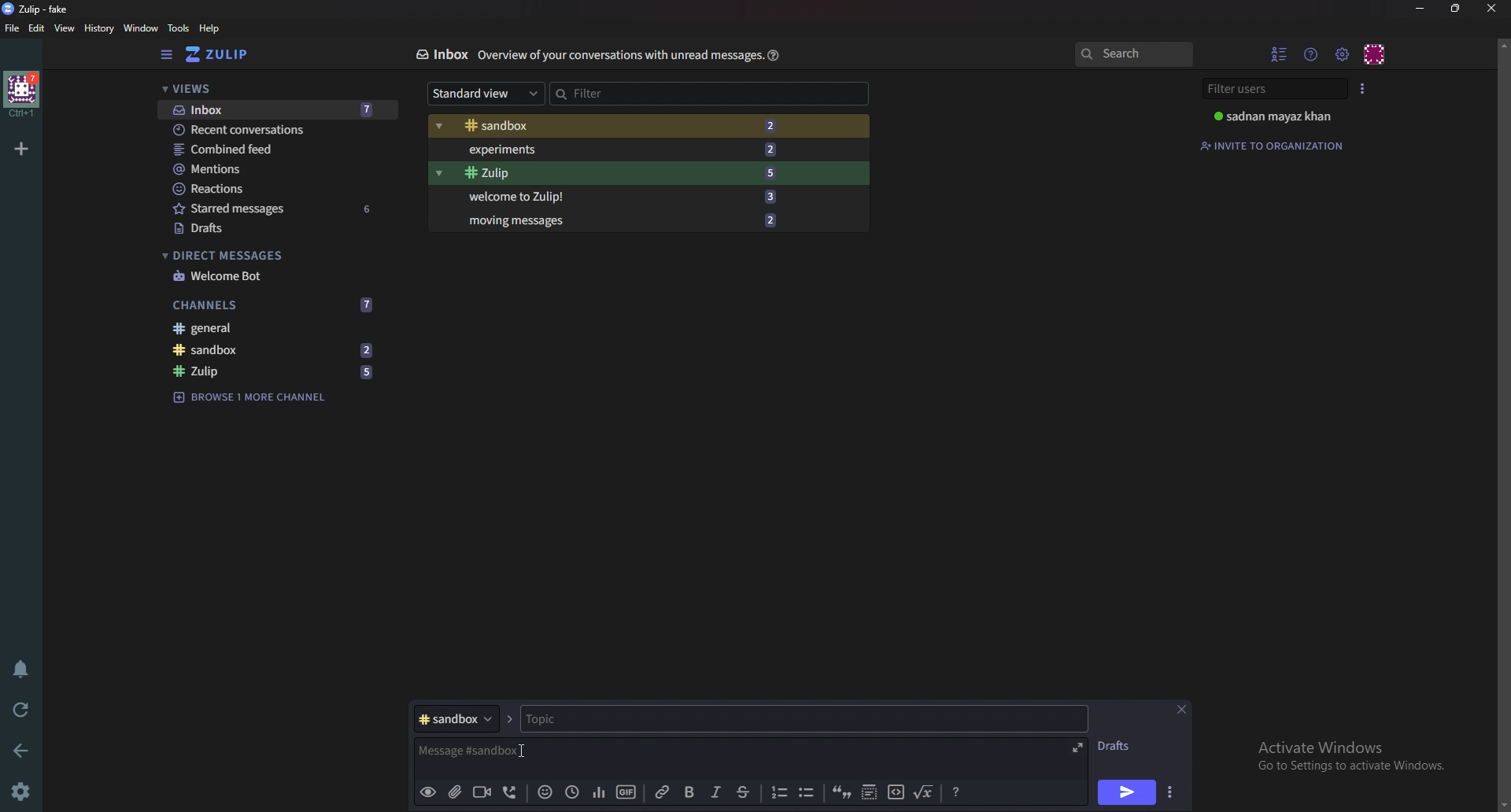  What do you see at coordinates (1376, 53) in the screenshot?
I see `Personal menu` at bounding box center [1376, 53].